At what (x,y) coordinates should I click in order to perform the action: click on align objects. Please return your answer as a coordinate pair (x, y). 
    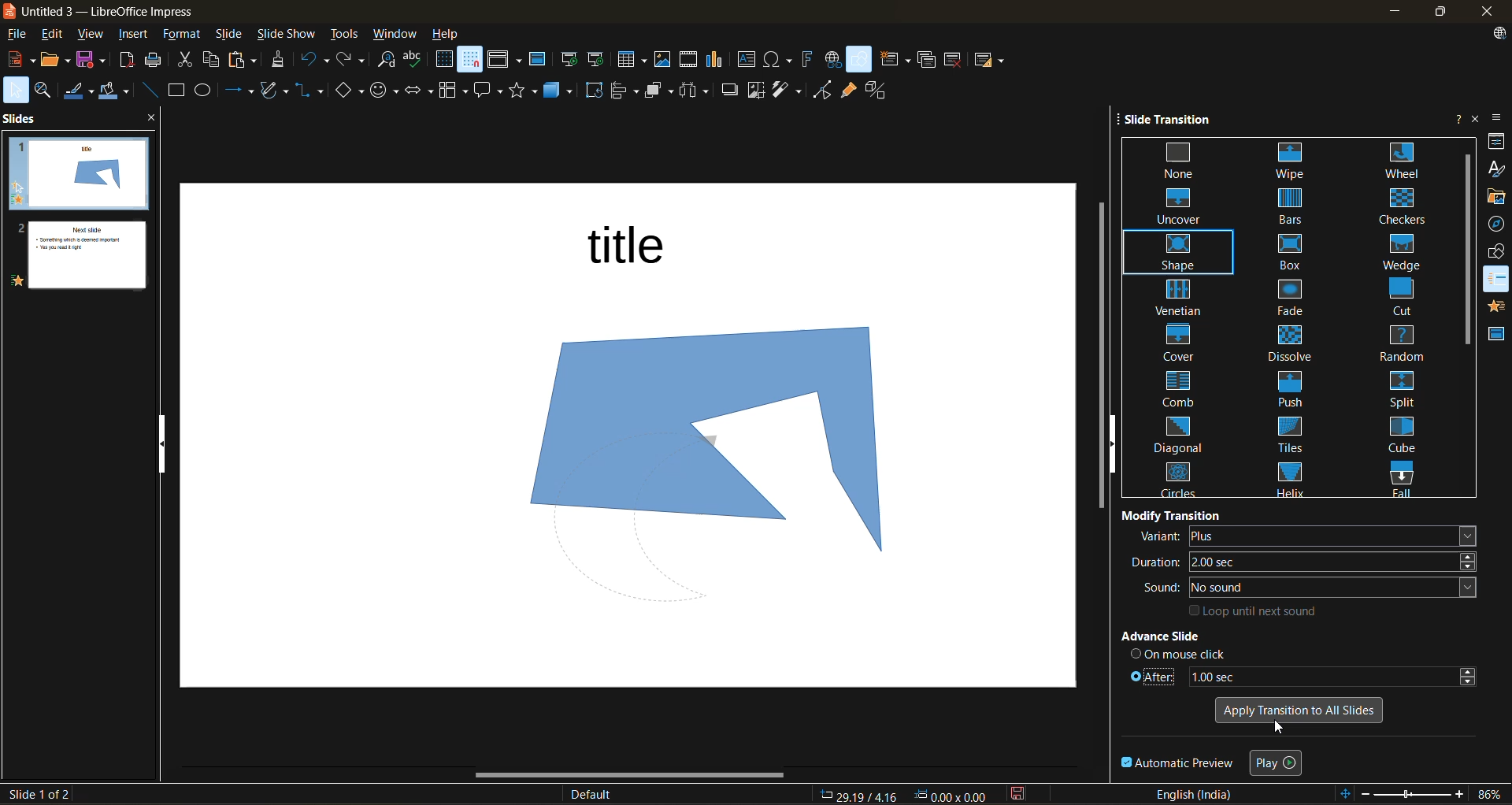
    Looking at the image, I should click on (625, 92).